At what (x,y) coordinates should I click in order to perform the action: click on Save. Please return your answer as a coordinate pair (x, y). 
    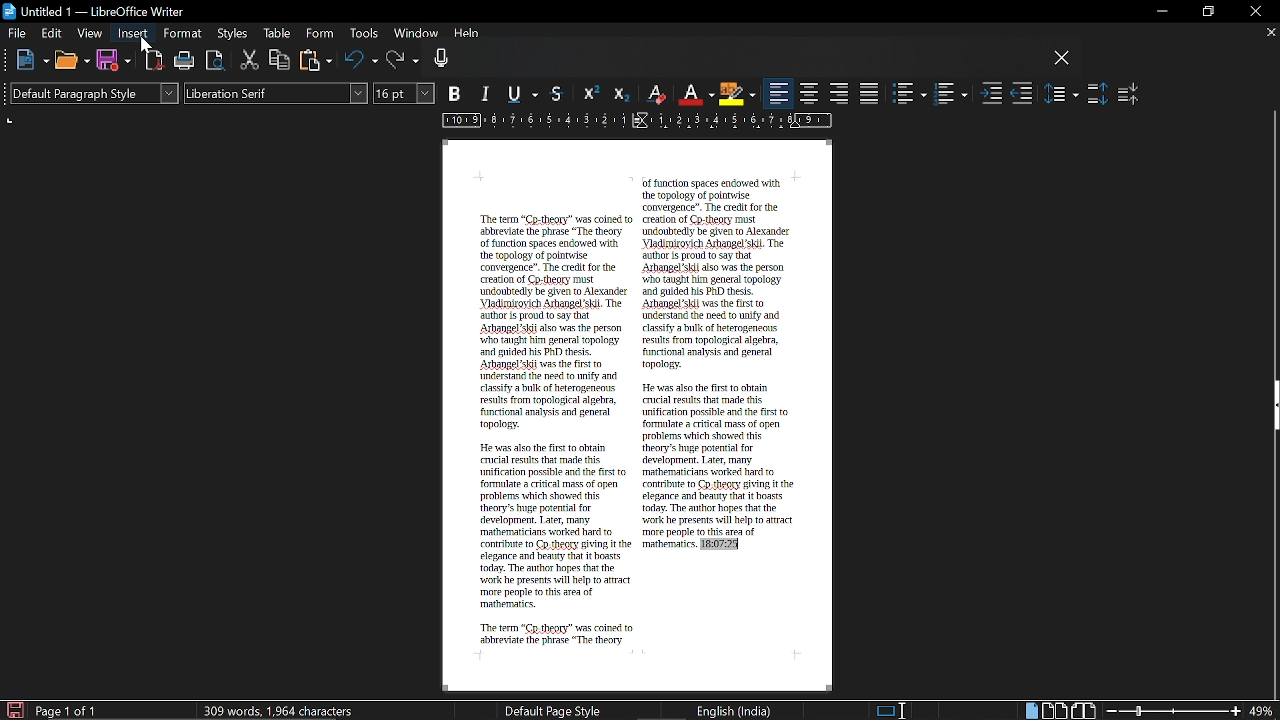
    Looking at the image, I should click on (113, 61).